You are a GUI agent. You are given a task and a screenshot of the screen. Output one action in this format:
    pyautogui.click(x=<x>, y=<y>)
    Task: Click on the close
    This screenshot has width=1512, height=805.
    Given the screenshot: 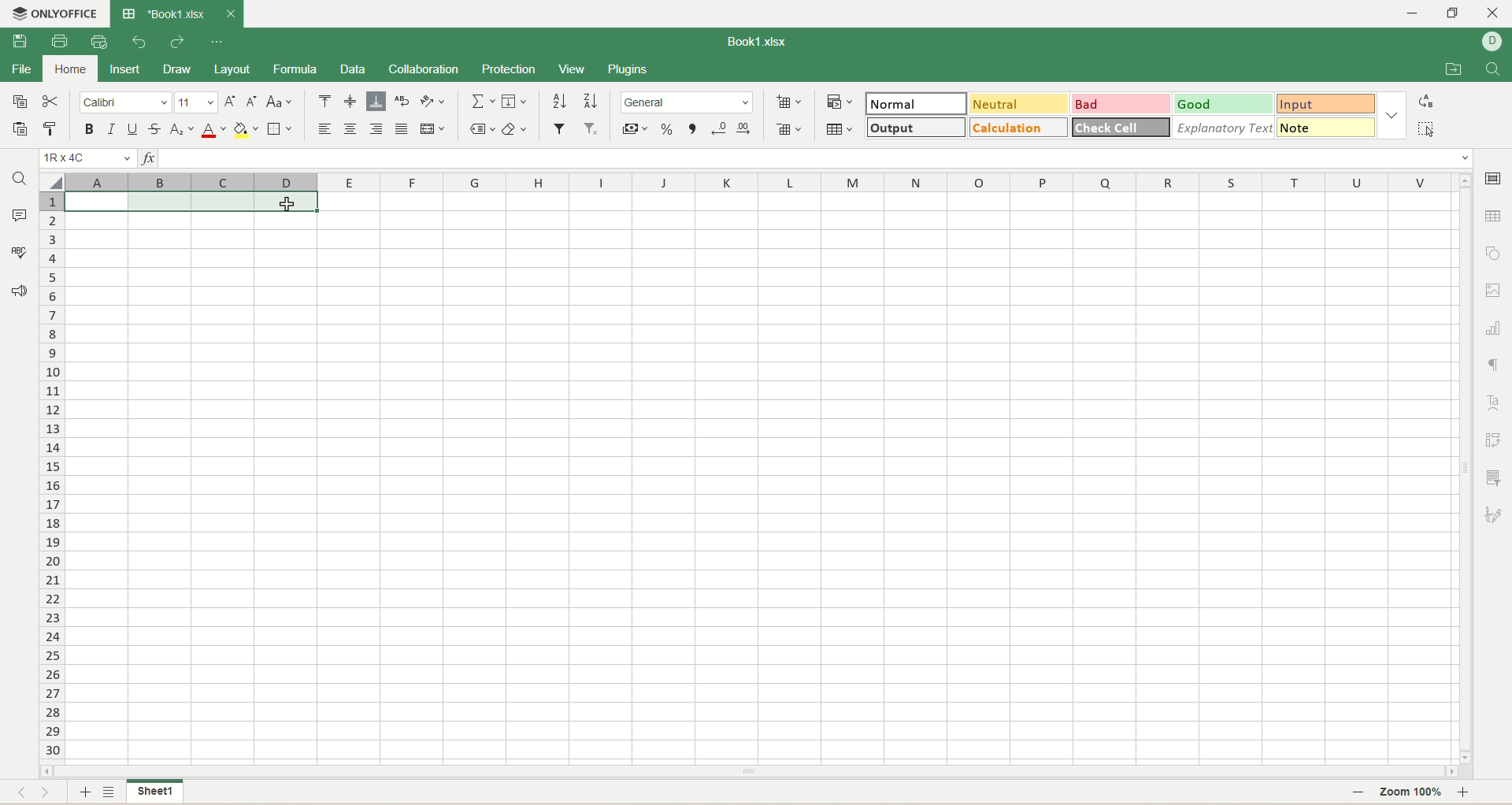 What is the action you would take?
    pyautogui.click(x=1495, y=12)
    